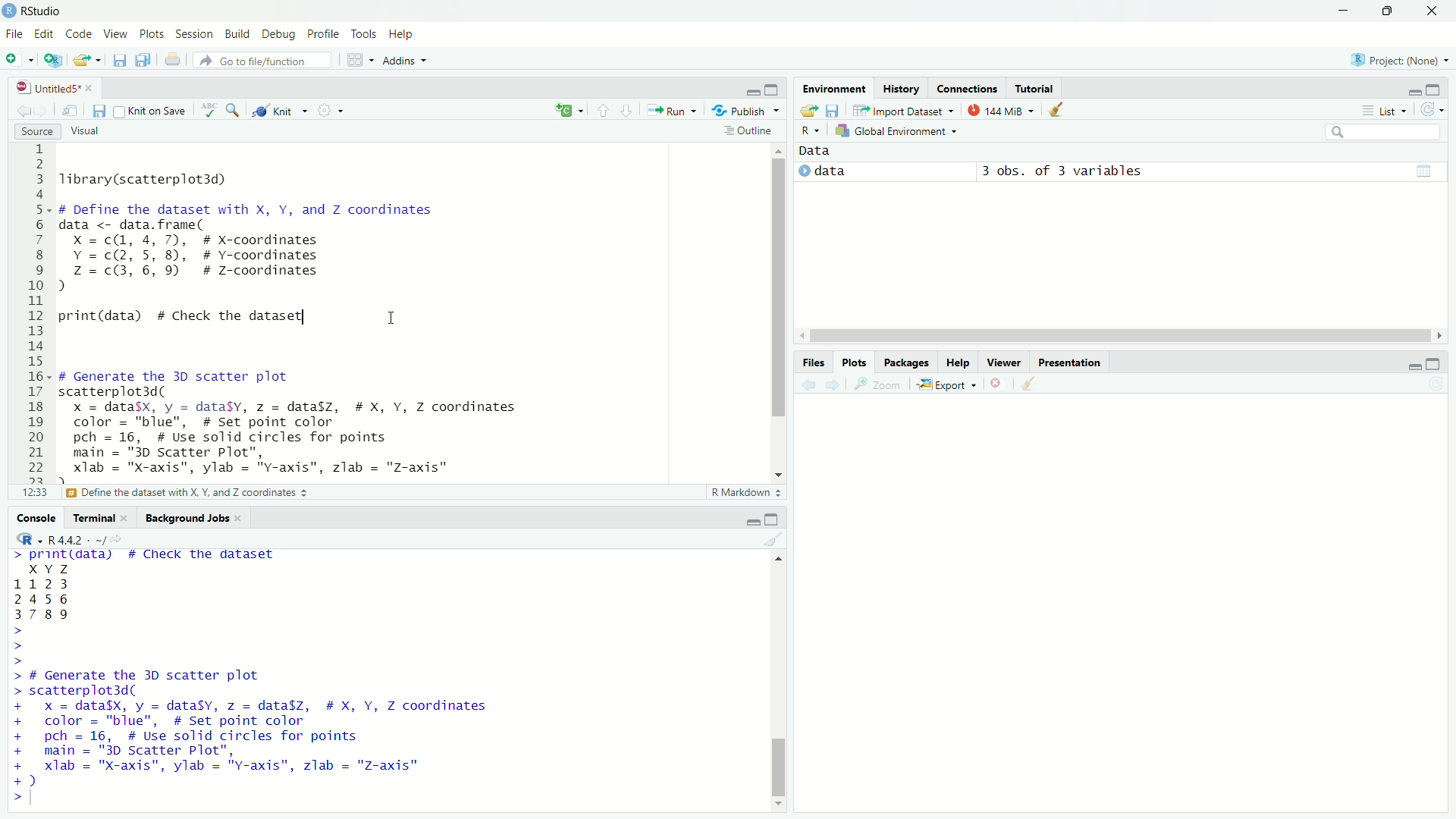 The image size is (1456, 819). Describe the element at coordinates (44, 582) in the screenshot. I see `1123` at that location.